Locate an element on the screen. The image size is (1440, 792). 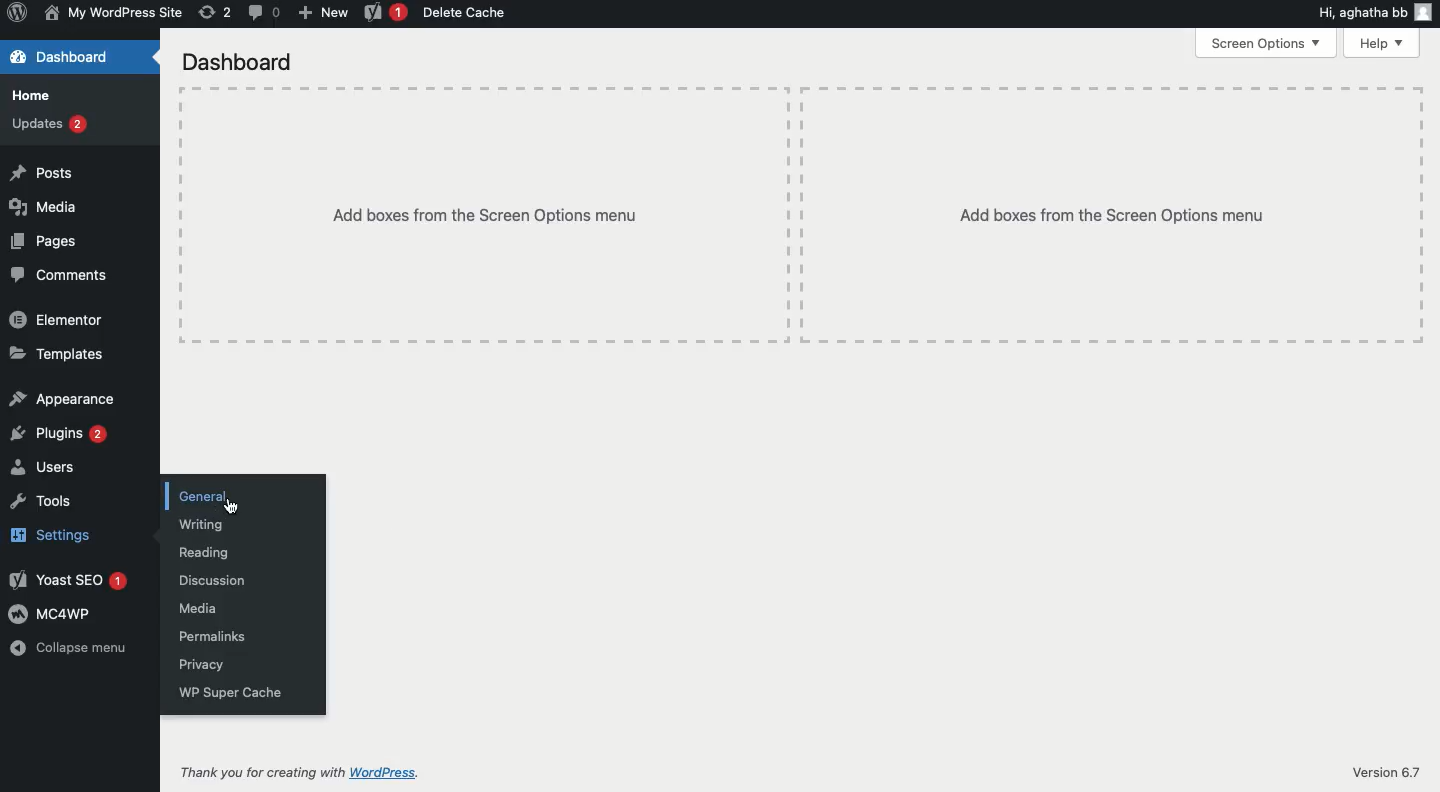
WordPress. is located at coordinates (386, 771).